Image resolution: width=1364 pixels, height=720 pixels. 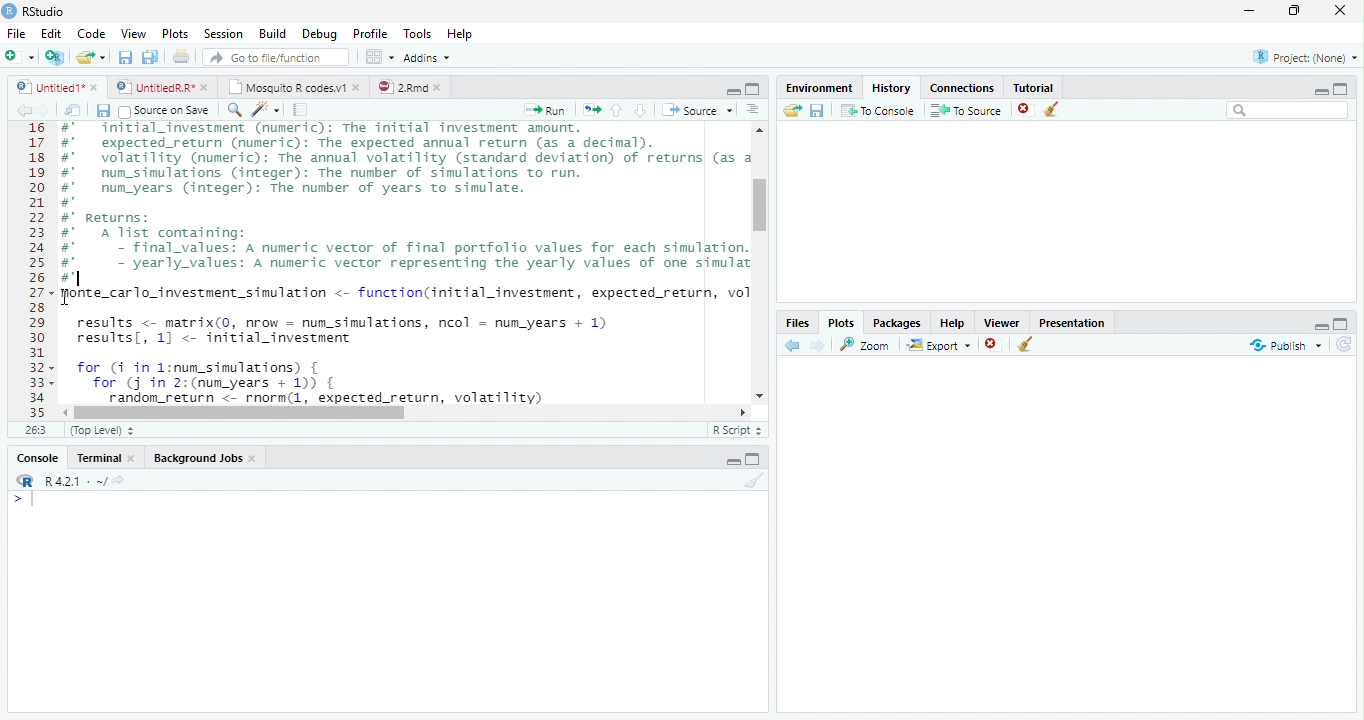 I want to click on Build, so click(x=273, y=34).